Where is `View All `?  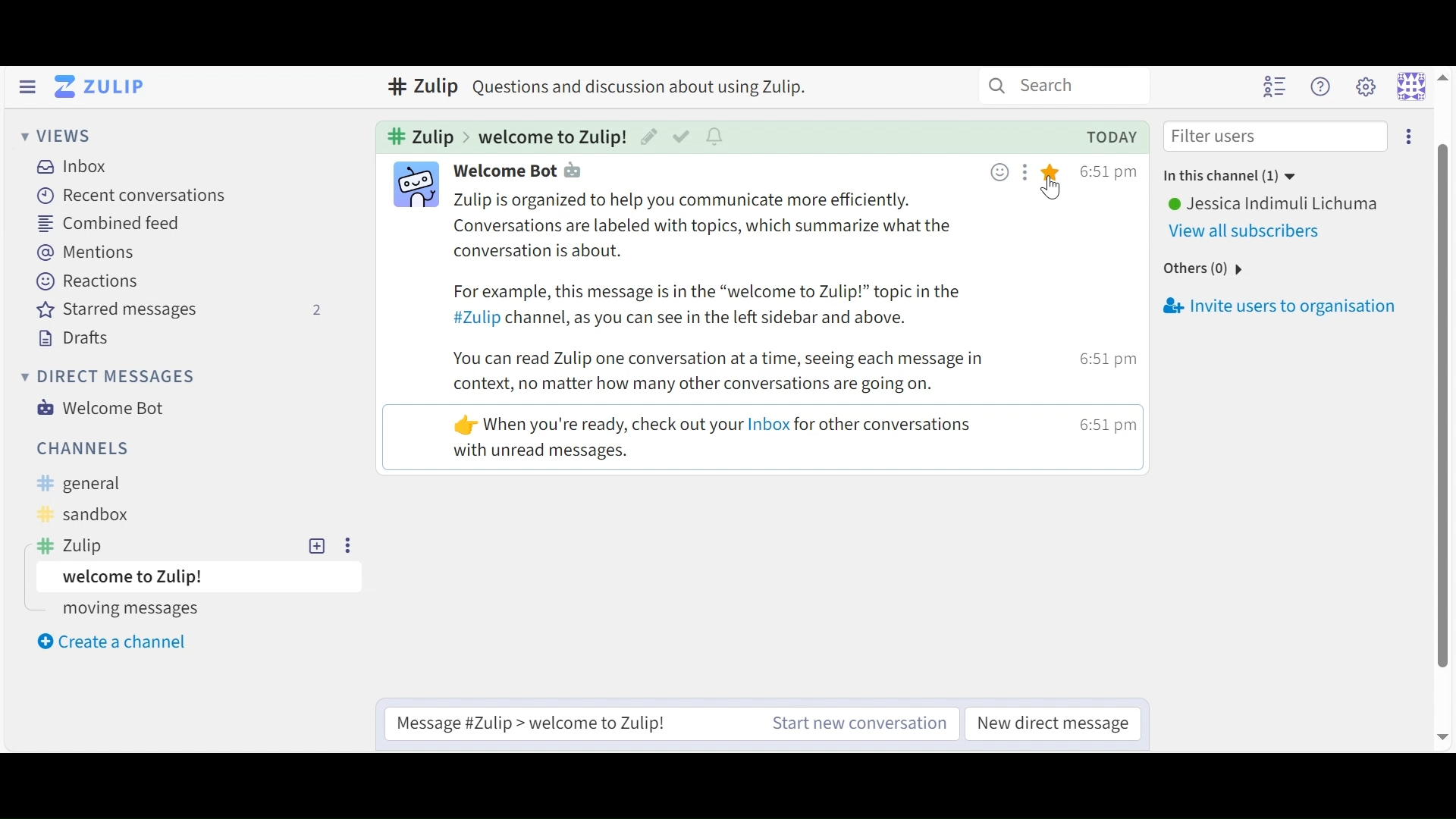 View All  is located at coordinates (1241, 231).